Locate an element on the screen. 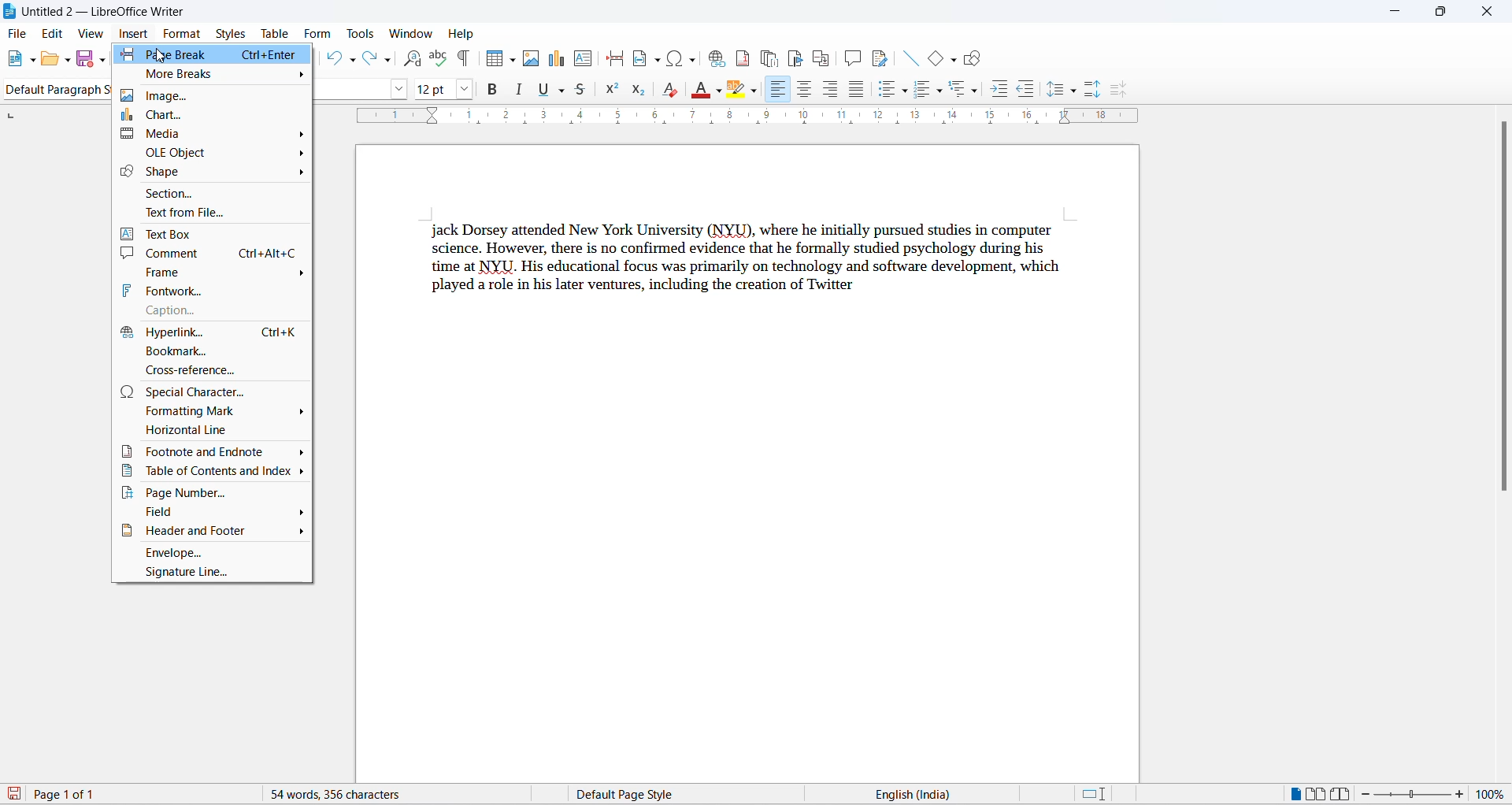  clear direct formatting is located at coordinates (668, 91).